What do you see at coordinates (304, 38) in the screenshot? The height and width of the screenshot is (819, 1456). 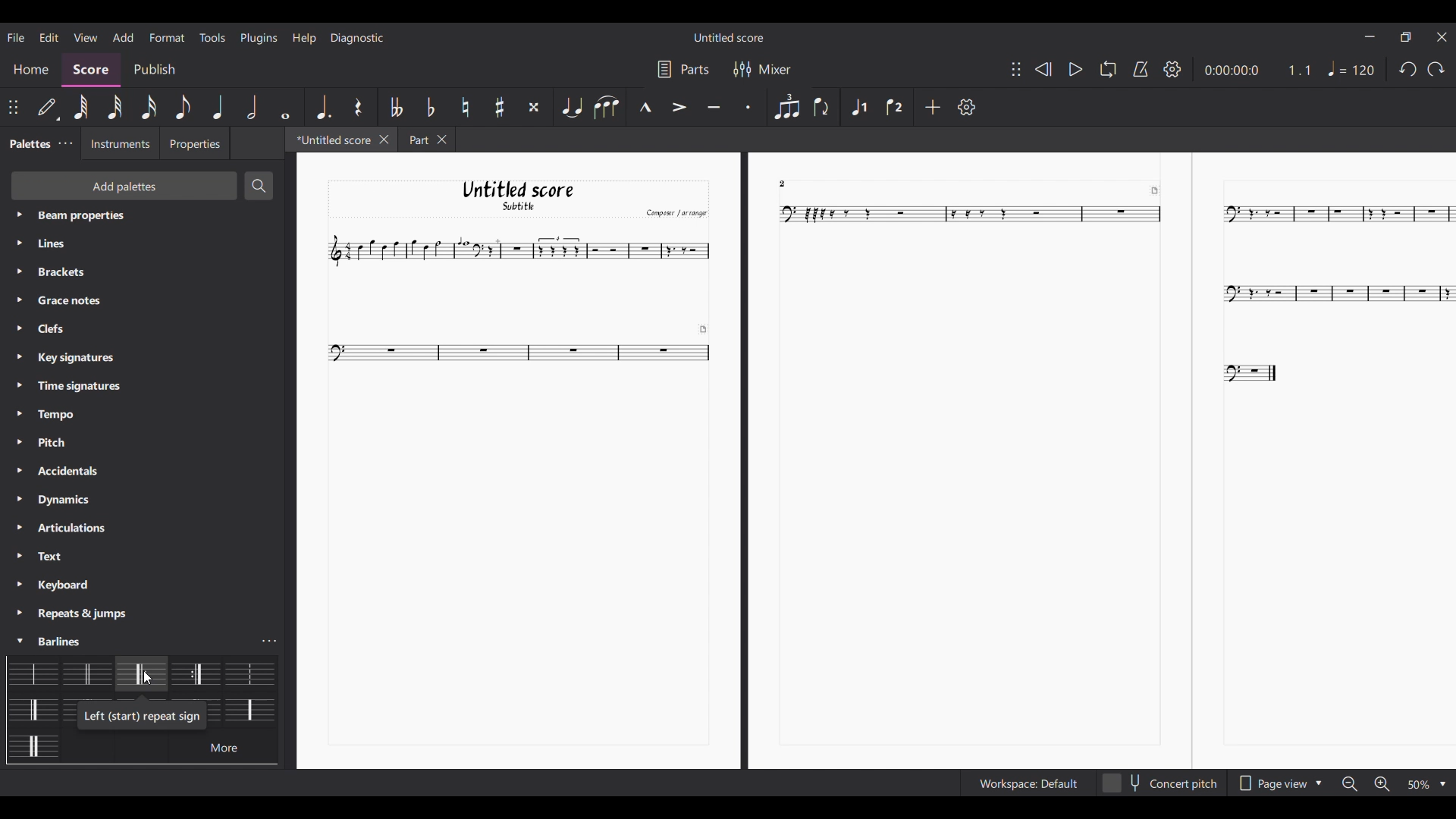 I see `Help menu` at bounding box center [304, 38].